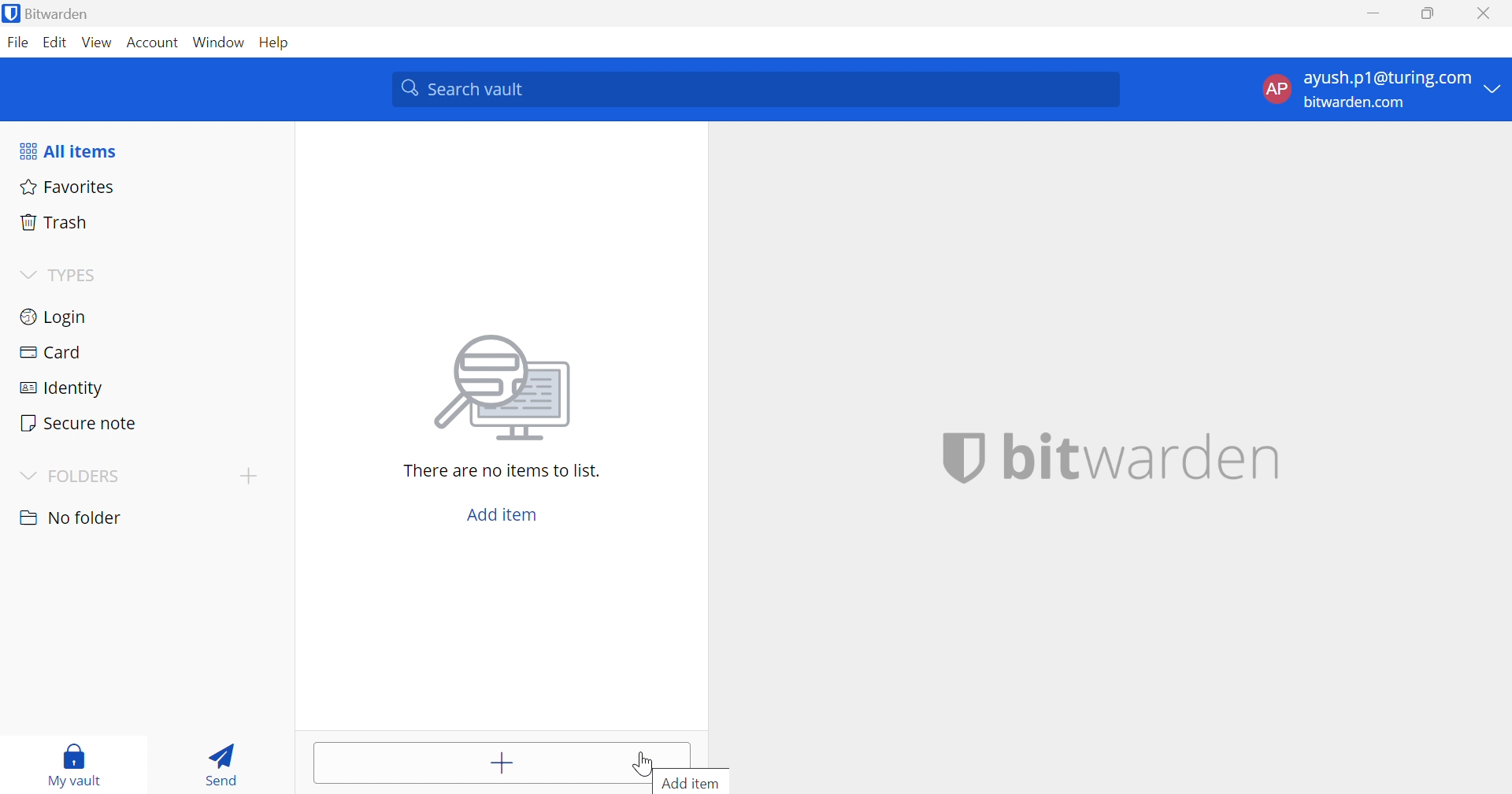 The image size is (1512, 794). Describe the element at coordinates (80, 423) in the screenshot. I see `Secure notes` at that location.